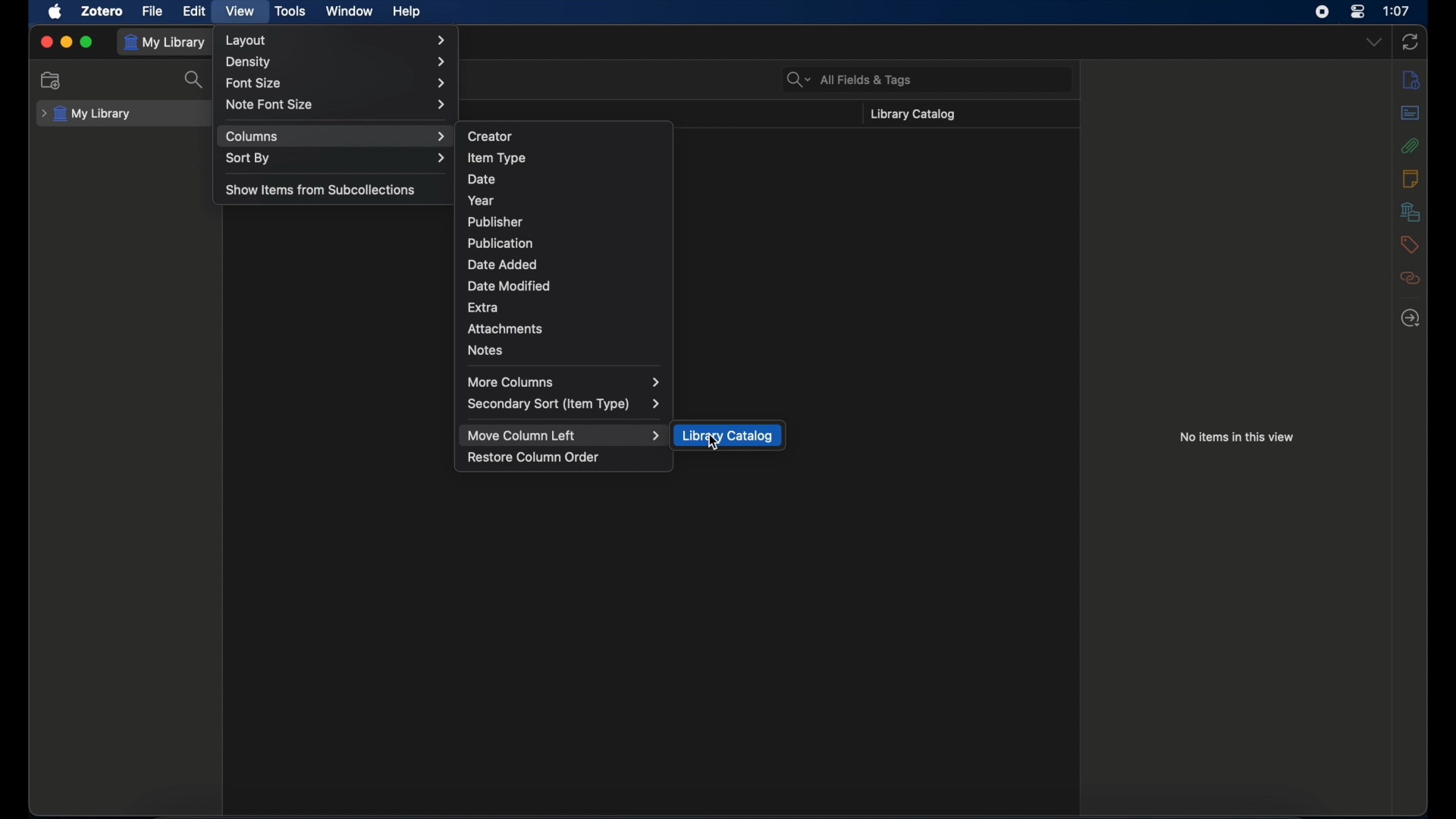 This screenshot has width=1456, height=819. I want to click on view, so click(240, 12).